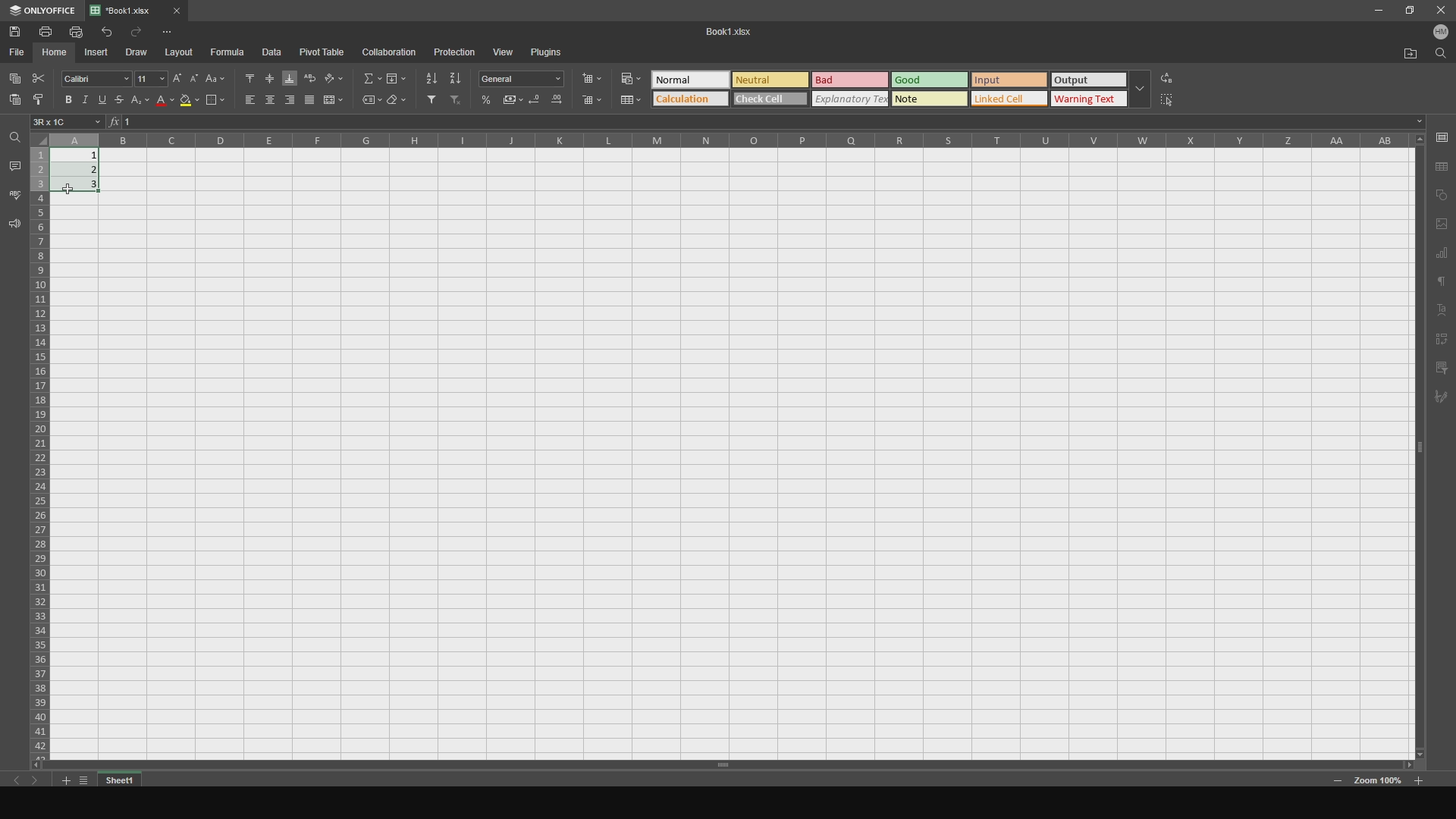  I want to click on fill color, so click(189, 103).